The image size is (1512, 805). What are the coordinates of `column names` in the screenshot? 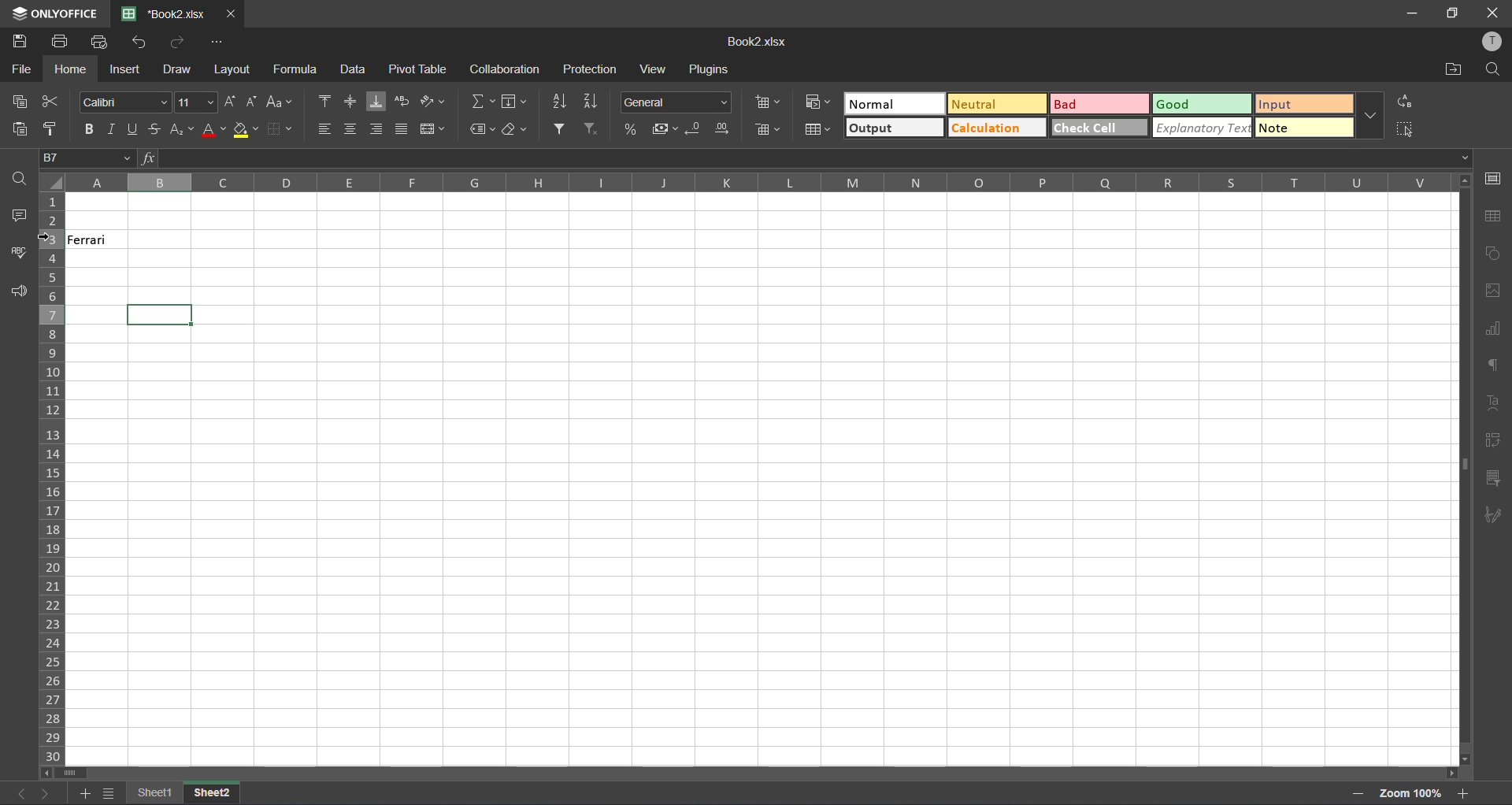 It's located at (756, 182).